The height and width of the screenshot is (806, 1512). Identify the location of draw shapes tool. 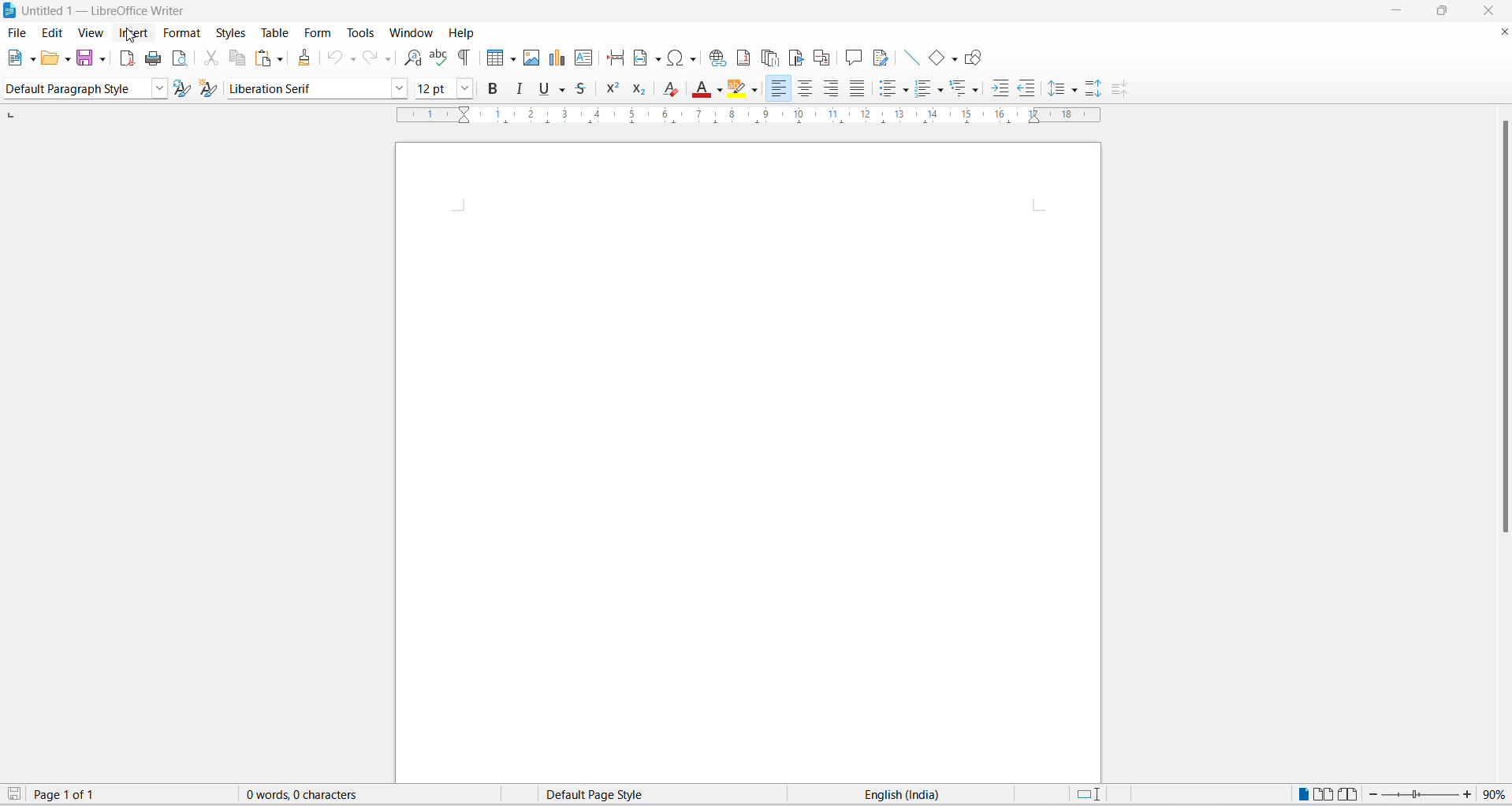
(976, 58).